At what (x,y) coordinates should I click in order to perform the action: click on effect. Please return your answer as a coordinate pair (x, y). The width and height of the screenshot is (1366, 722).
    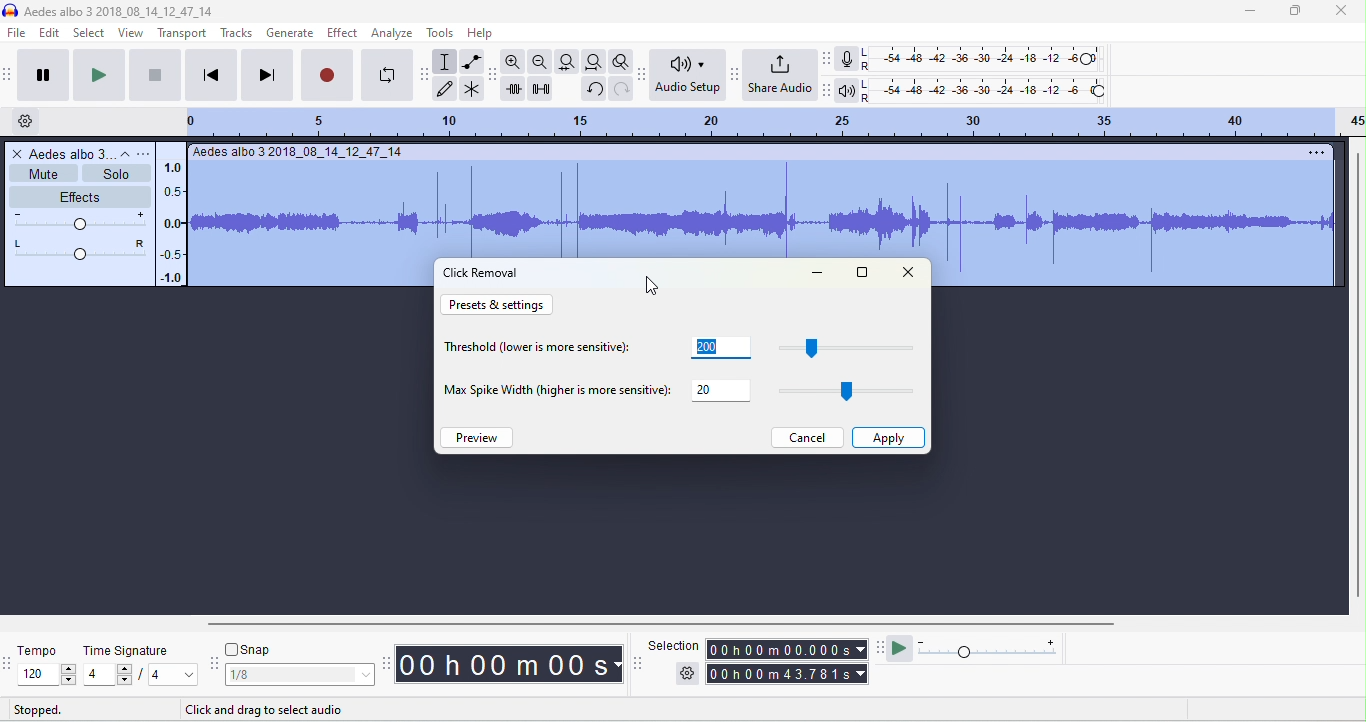
    Looking at the image, I should click on (342, 34).